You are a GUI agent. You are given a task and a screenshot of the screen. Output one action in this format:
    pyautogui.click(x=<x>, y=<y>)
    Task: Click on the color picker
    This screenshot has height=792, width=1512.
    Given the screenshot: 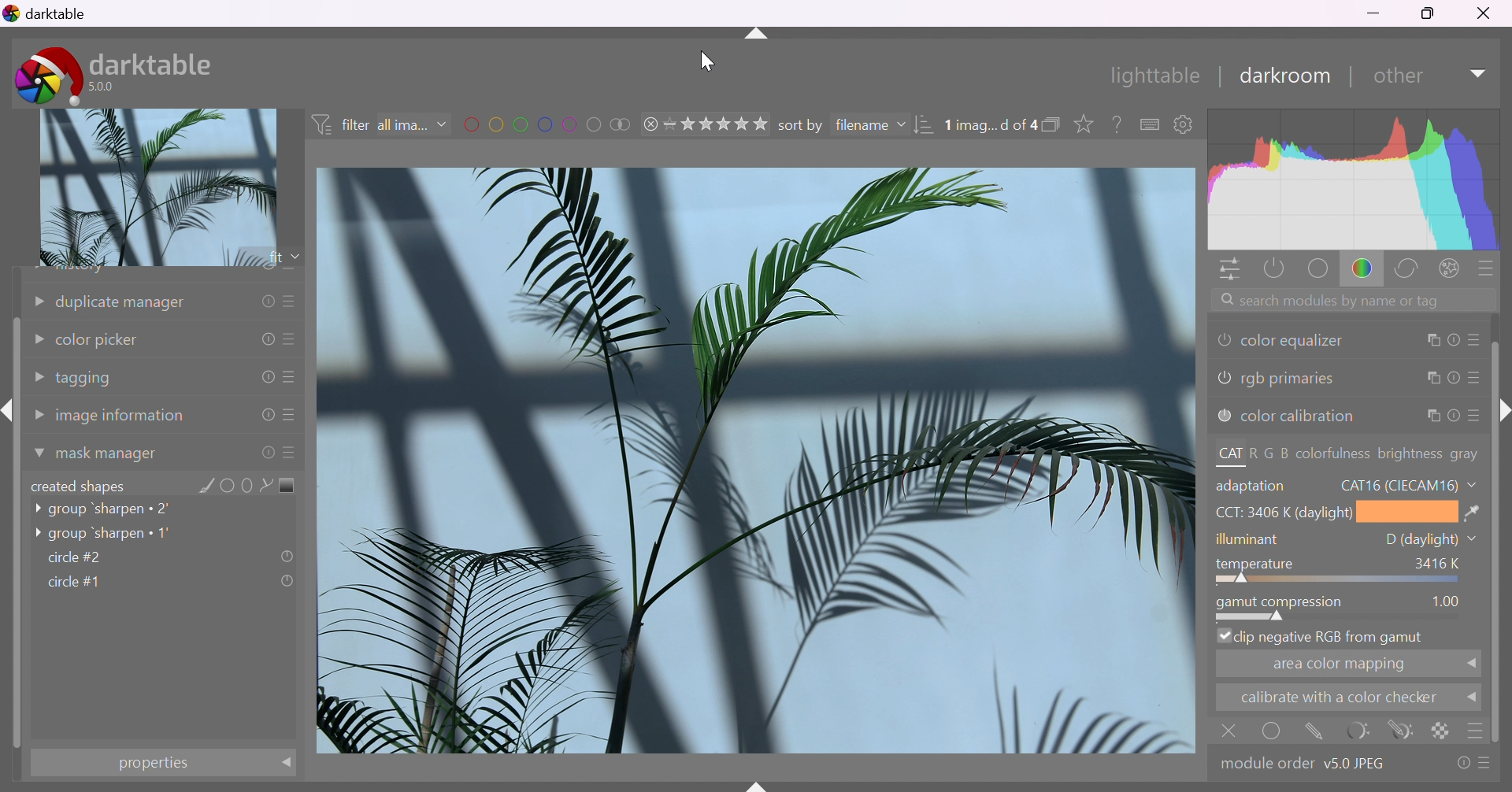 What is the action you would take?
    pyautogui.click(x=163, y=341)
    